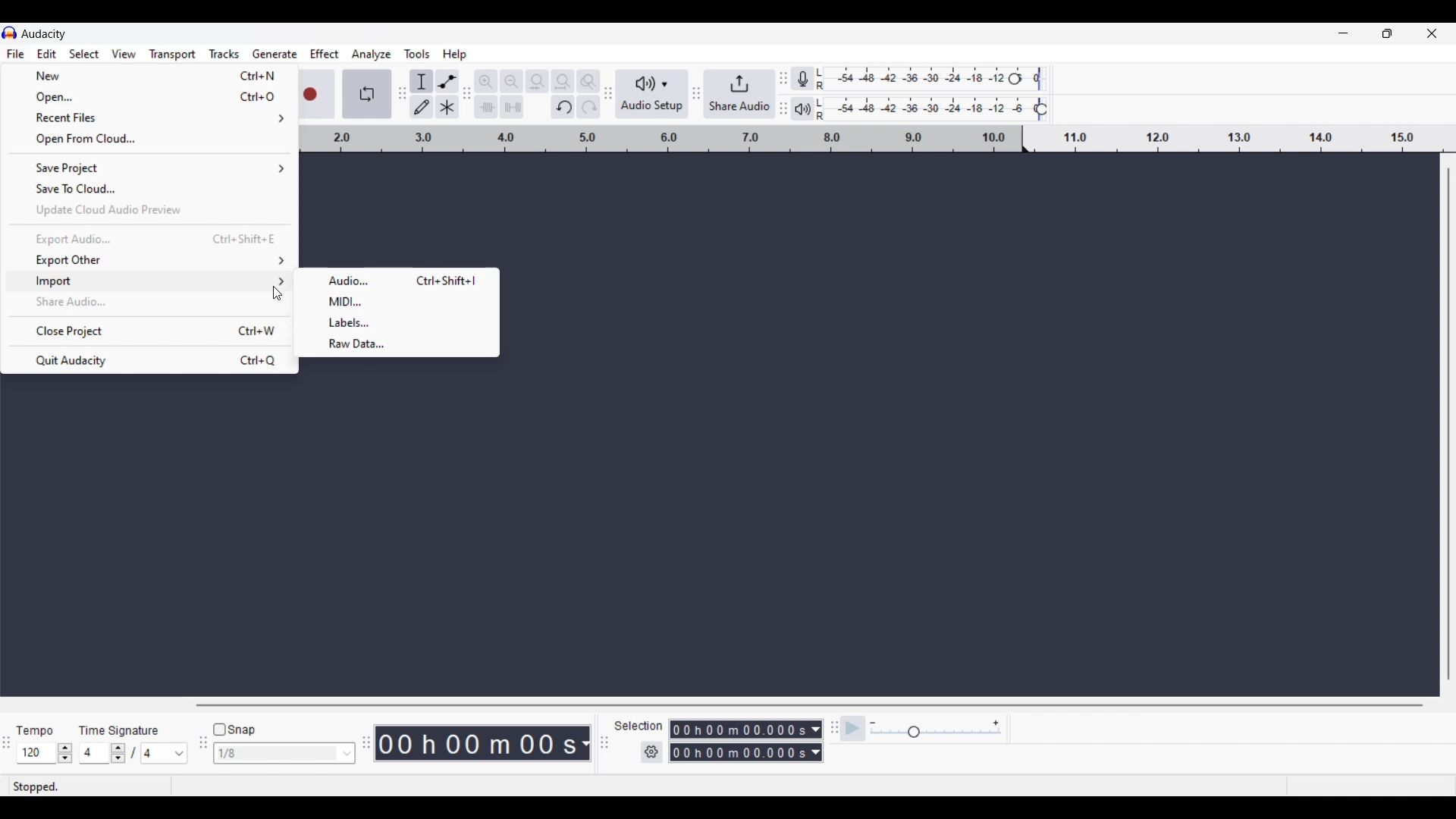  I want to click on Snap toggle, so click(234, 730).